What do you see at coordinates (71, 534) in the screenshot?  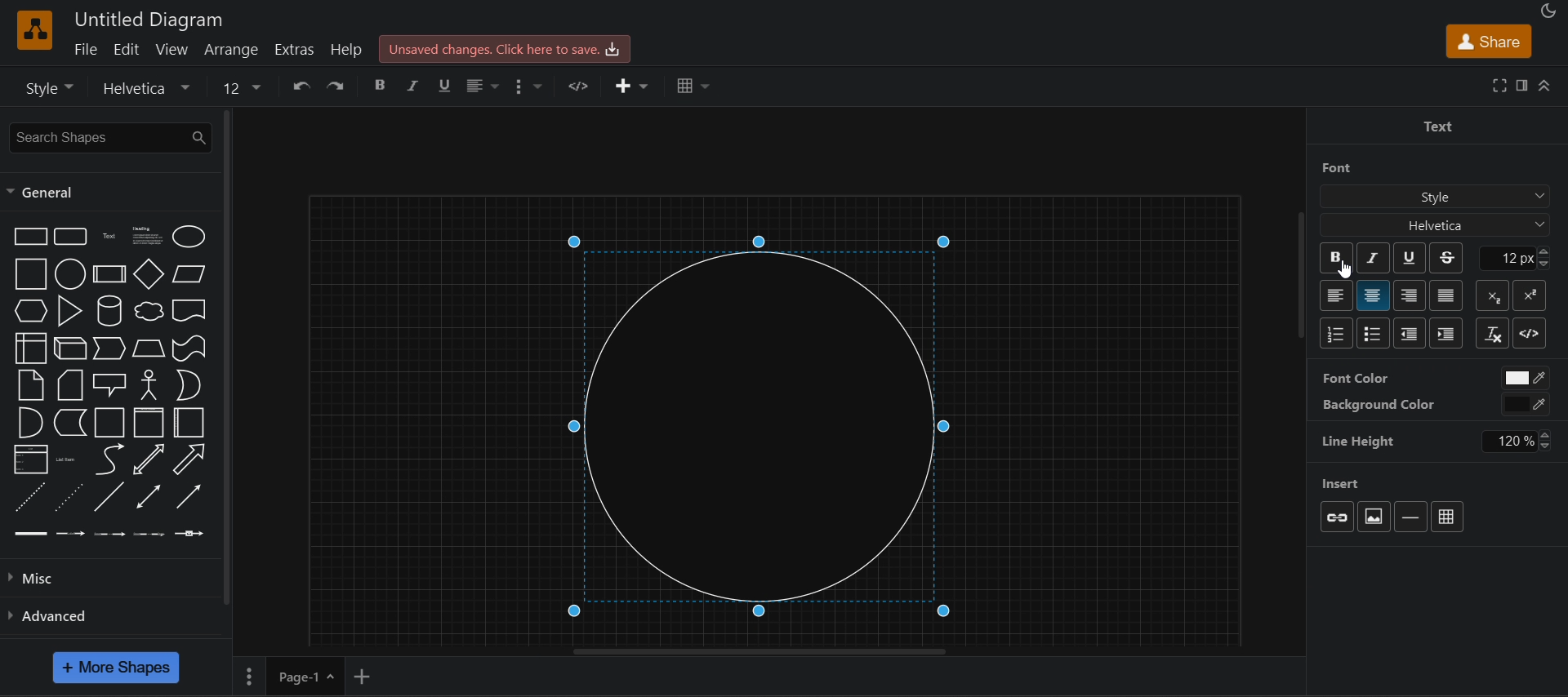 I see `Connector 2` at bounding box center [71, 534].